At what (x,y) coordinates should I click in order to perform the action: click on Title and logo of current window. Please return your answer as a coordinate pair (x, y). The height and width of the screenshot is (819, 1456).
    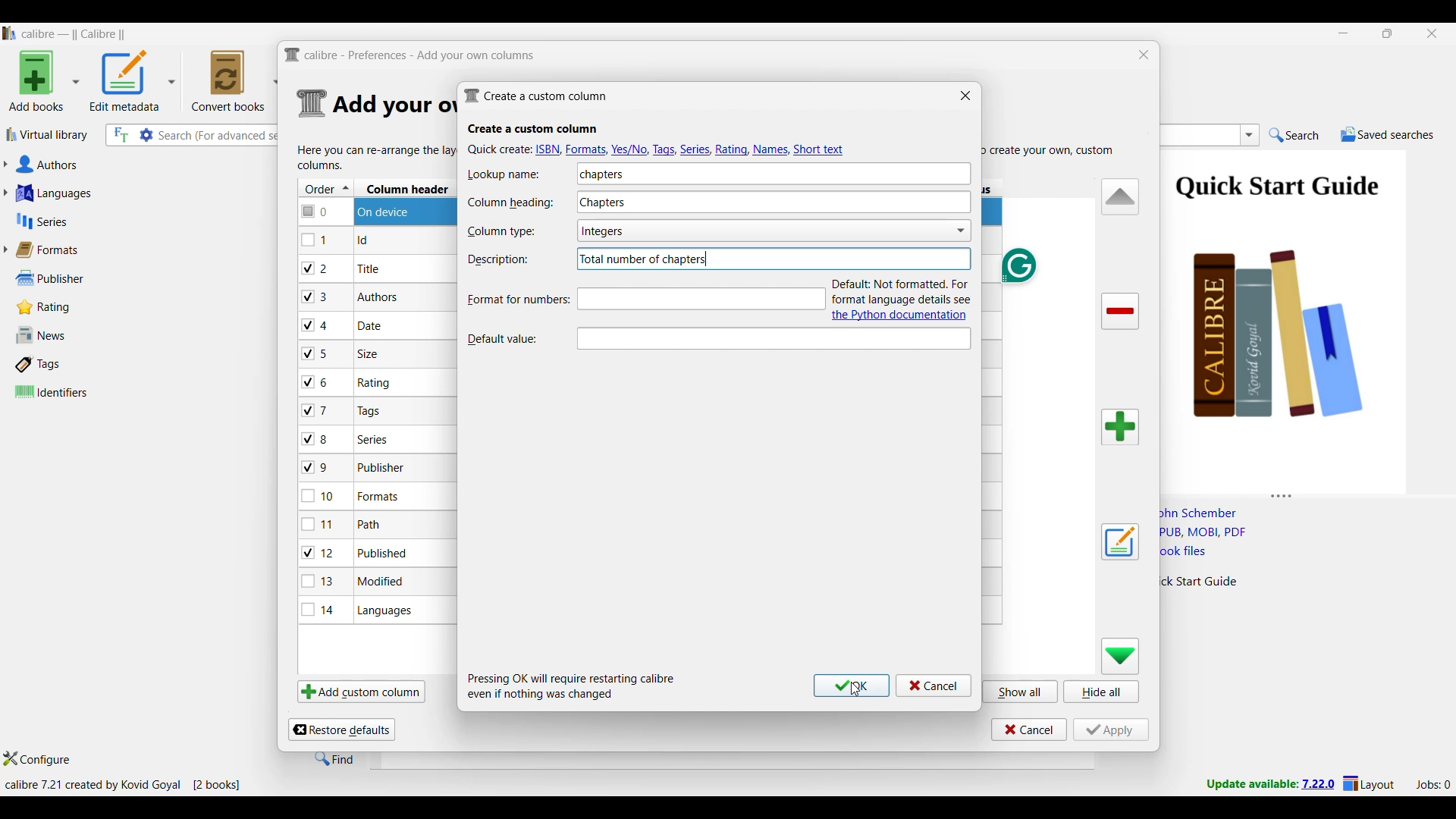
    Looking at the image, I should click on (410, 55).